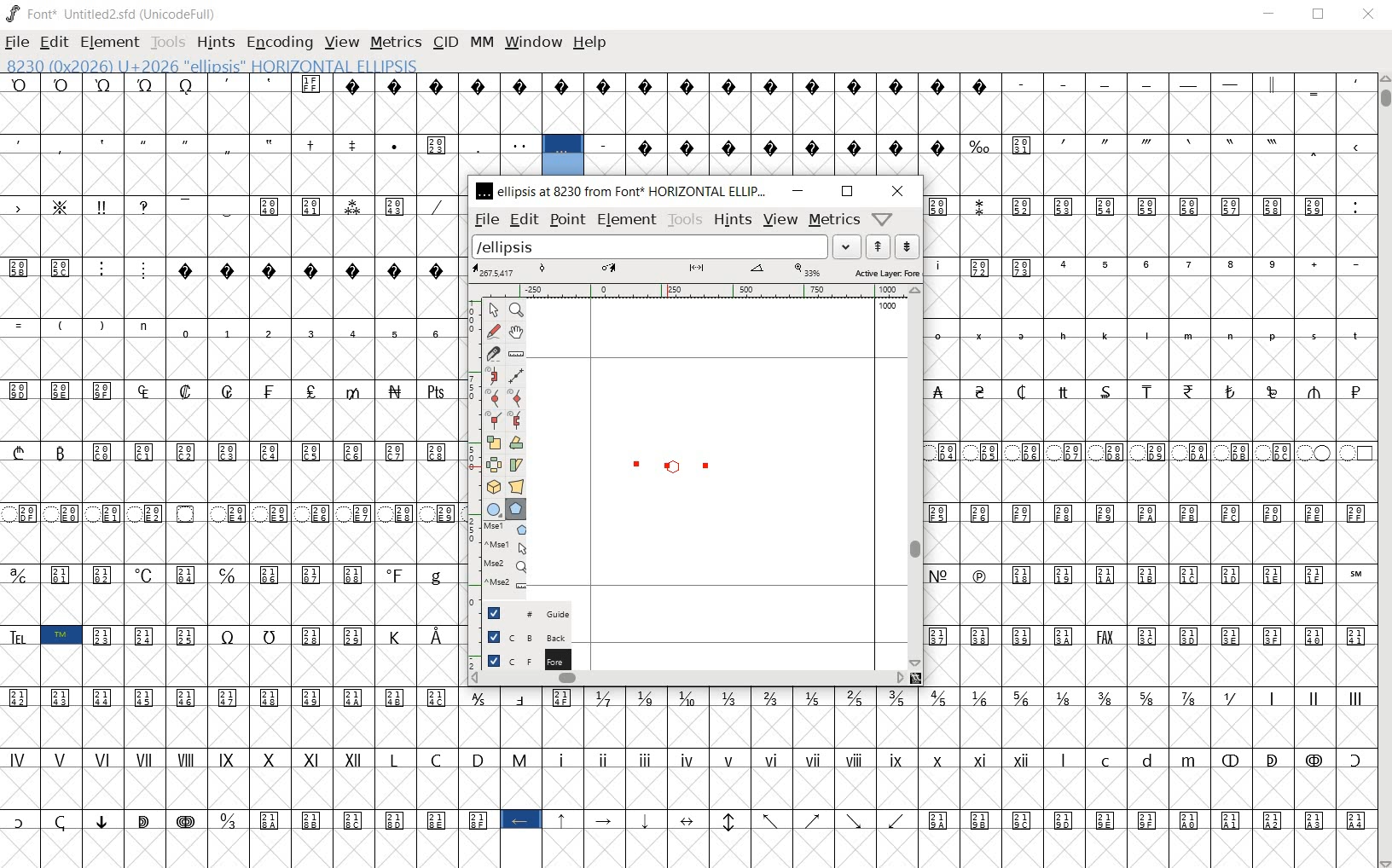 The width and height of the screenshot is (1392, 868). What do you see at coordinates (1383, 471) in the screenshot?
I see `SCROLLBAR` at bounding box center [1383, 471].